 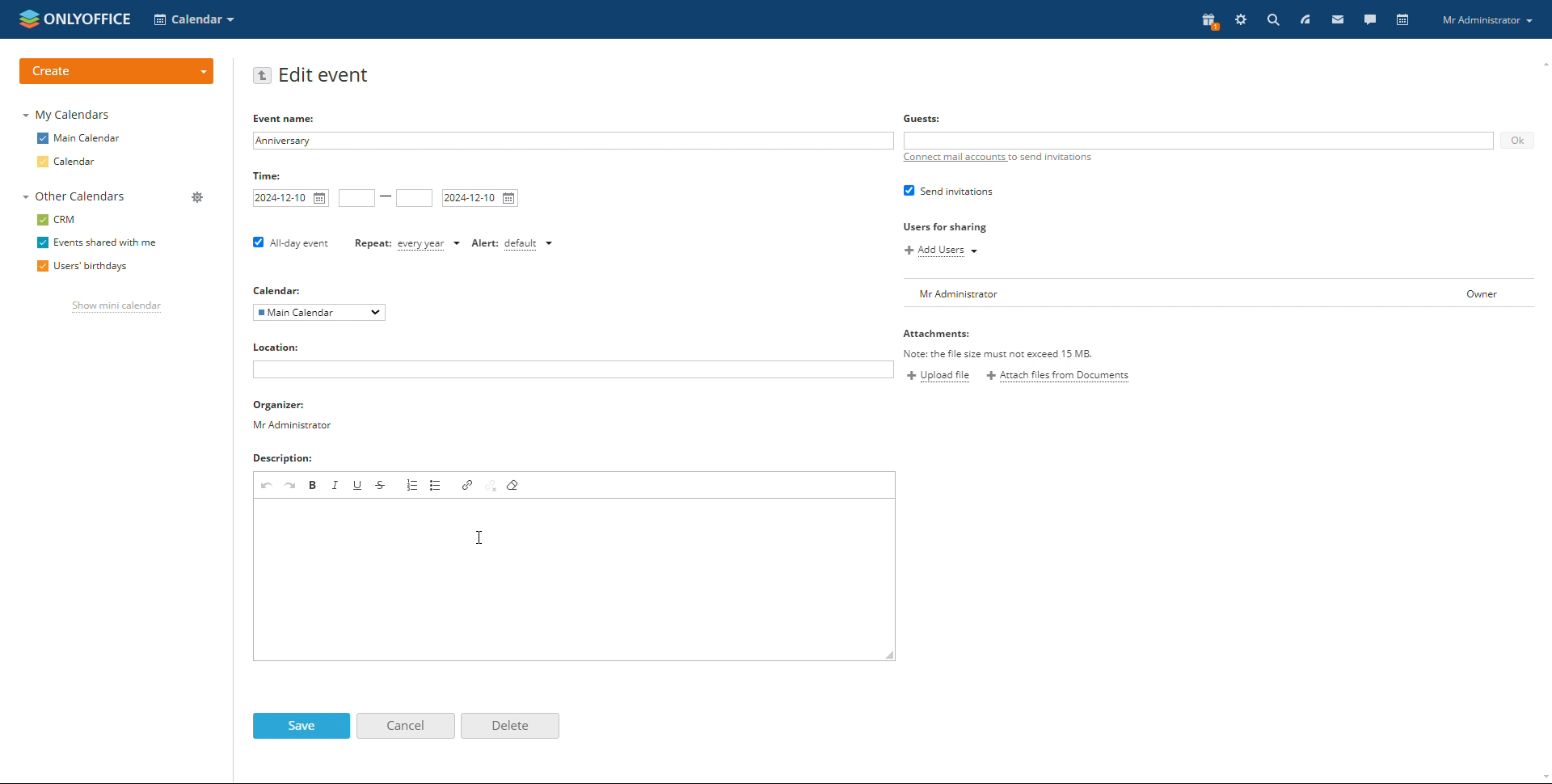 What do you see at coordinates (890, 654) in the screenshot?
I see `resize` at bounding box center [890, 654].